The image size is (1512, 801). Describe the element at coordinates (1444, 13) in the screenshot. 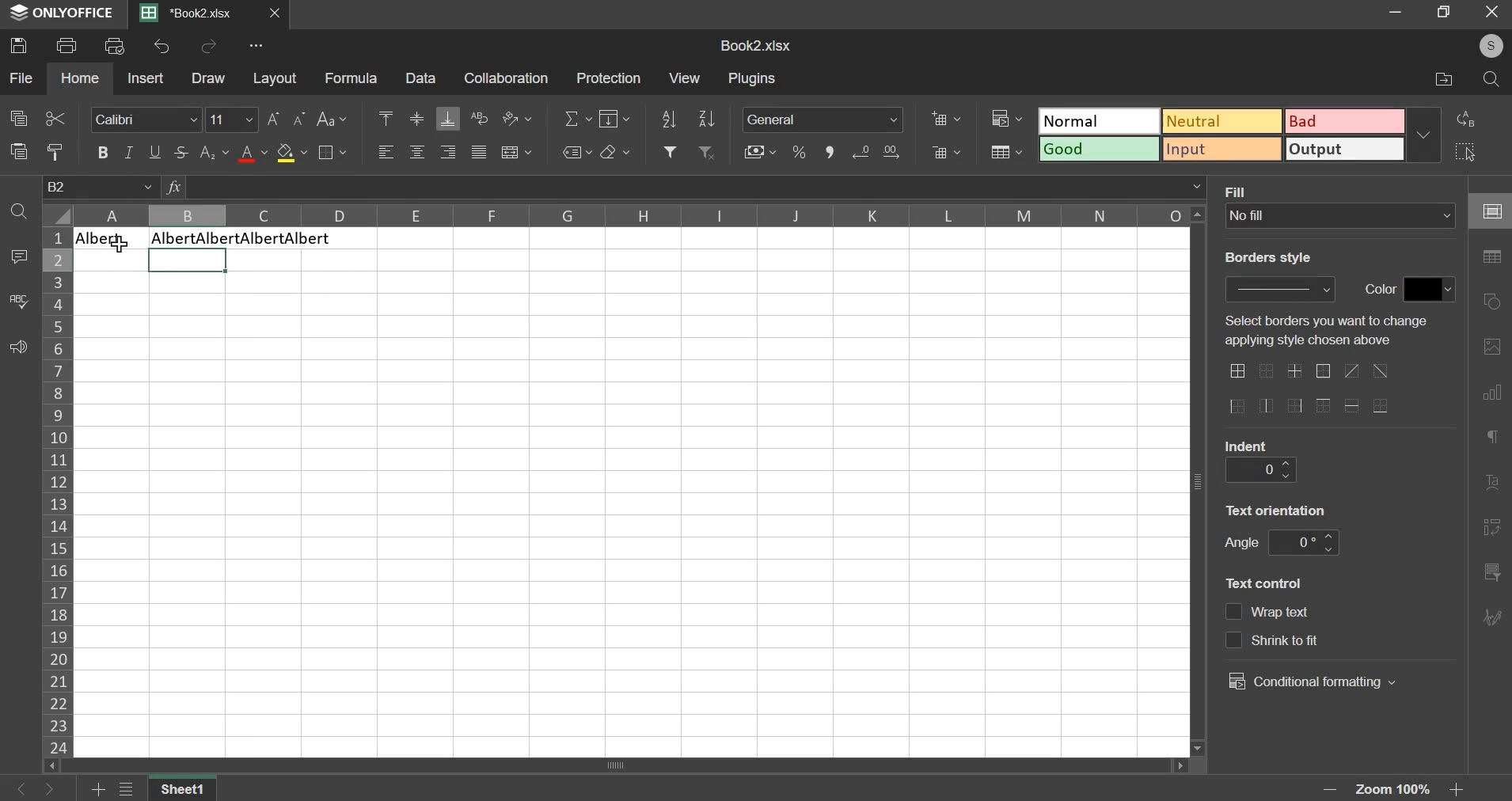

I see `maximise` at that location.